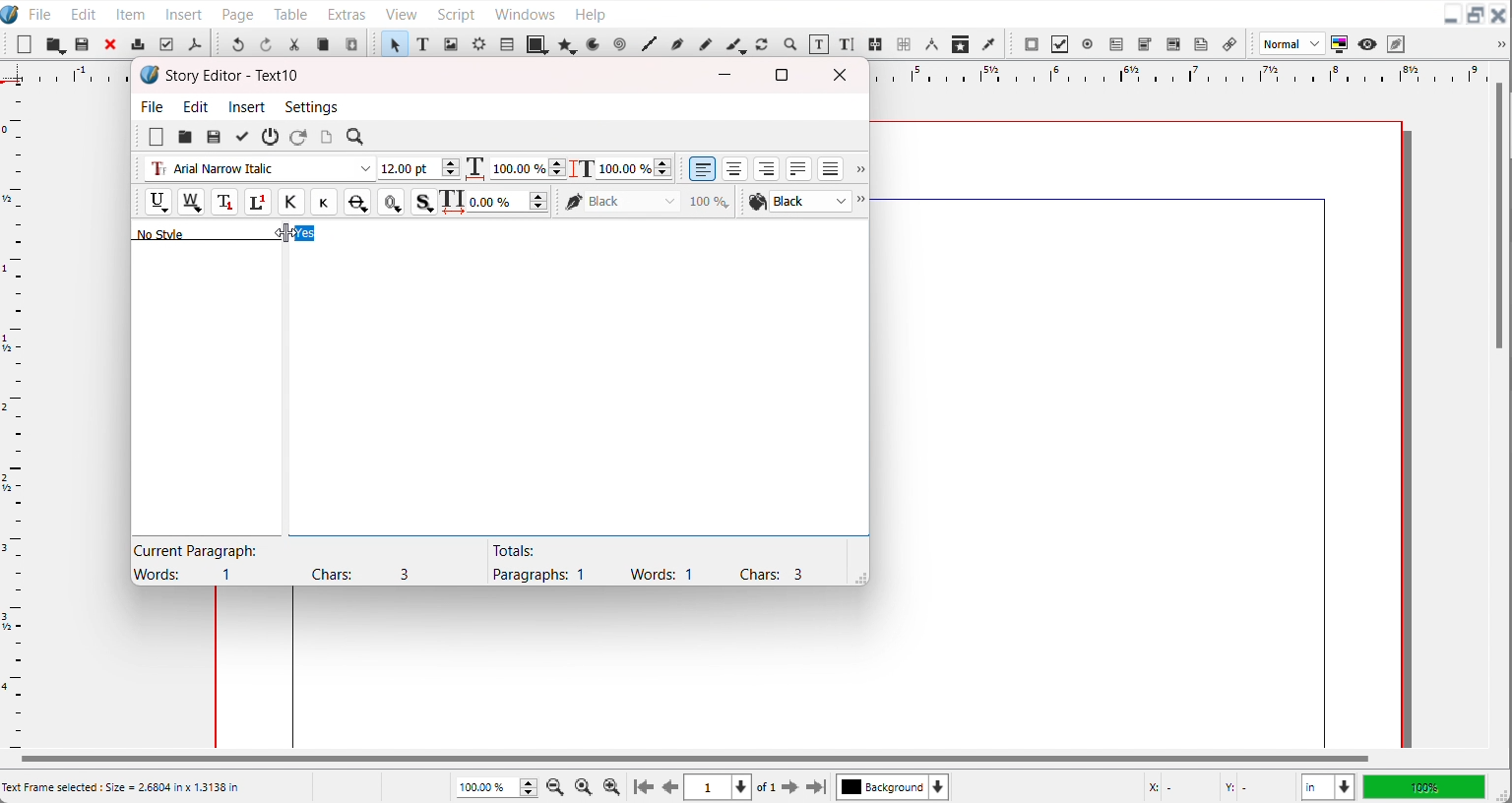  What do you see at coordinates (1368, 44) in the screenshot?
I see `Preview` at bounding box center [1368, 44].